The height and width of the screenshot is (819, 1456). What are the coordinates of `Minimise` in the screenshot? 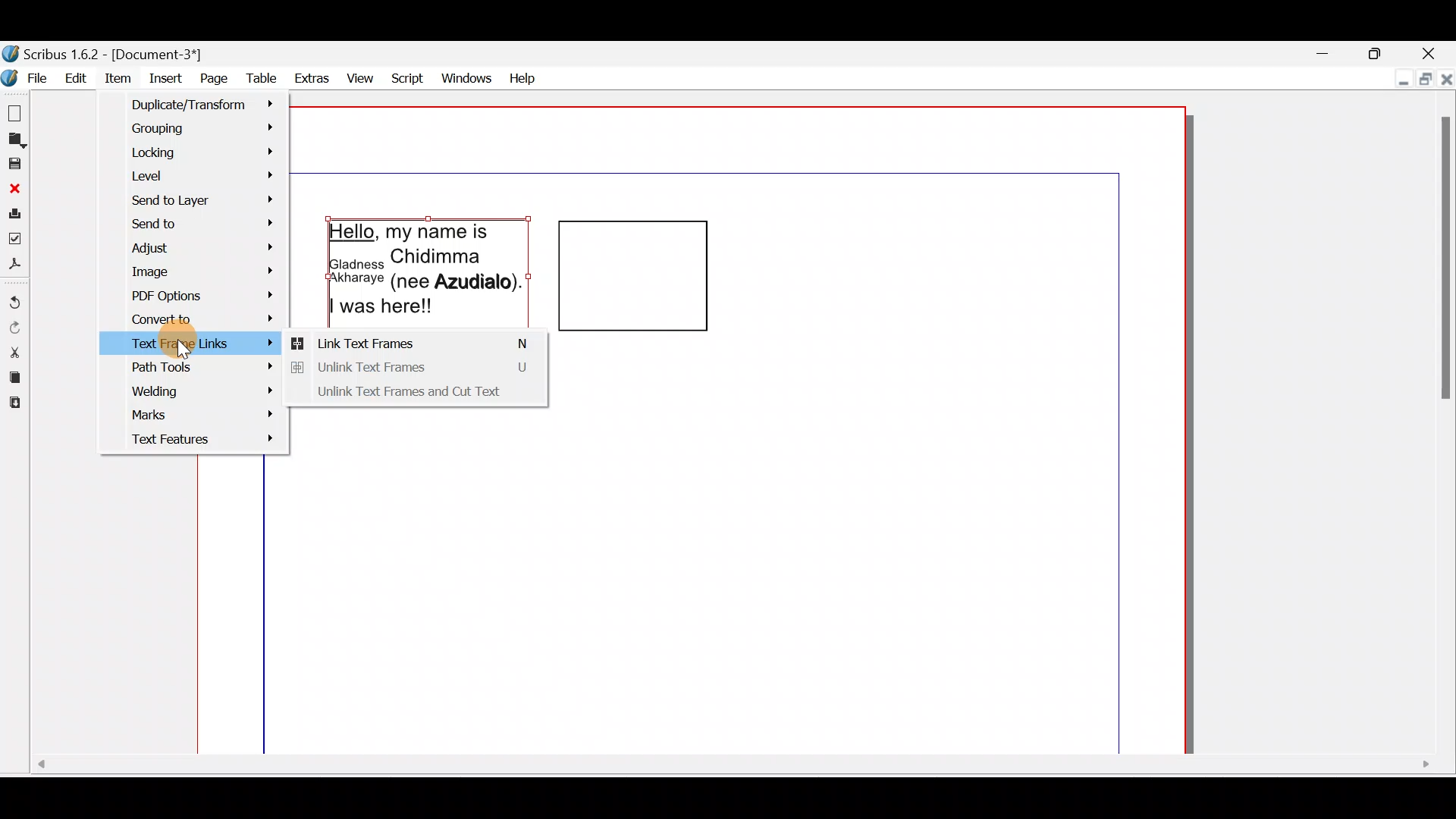 It's located at (1323, 52).